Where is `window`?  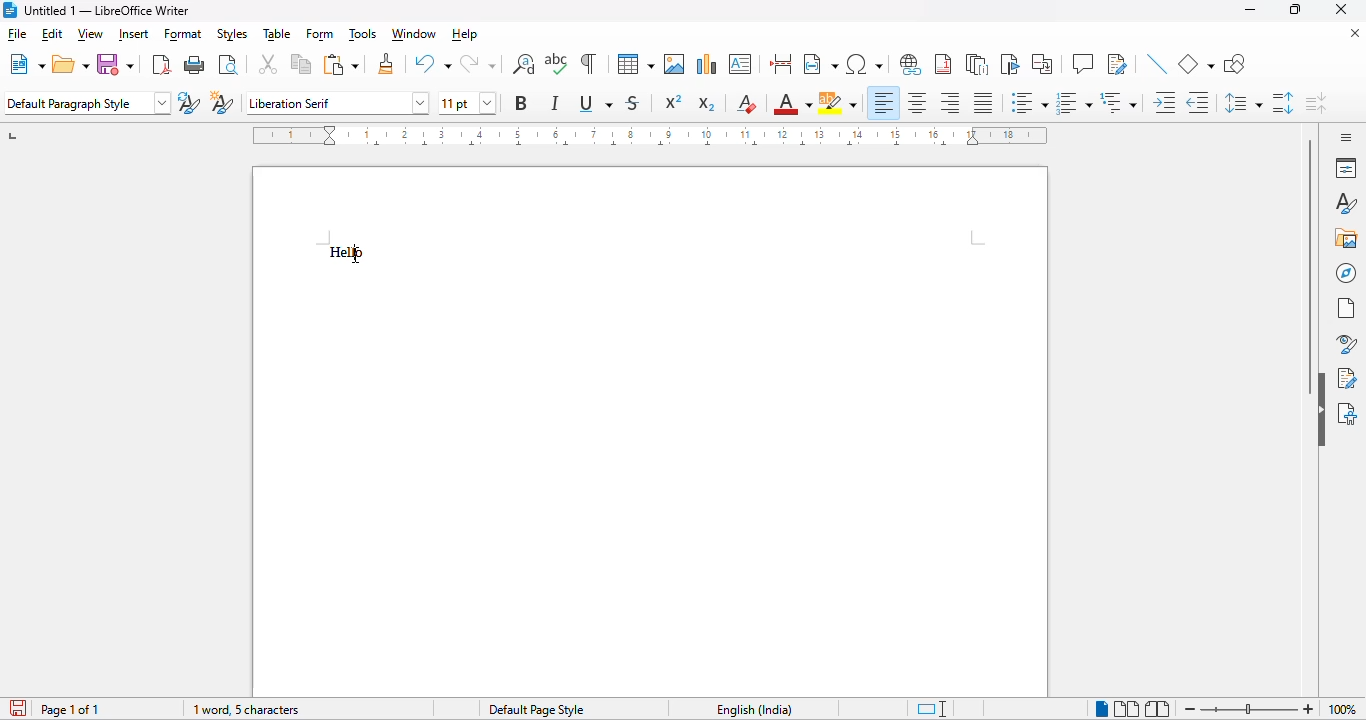 window is located at coordinates (415, 35).